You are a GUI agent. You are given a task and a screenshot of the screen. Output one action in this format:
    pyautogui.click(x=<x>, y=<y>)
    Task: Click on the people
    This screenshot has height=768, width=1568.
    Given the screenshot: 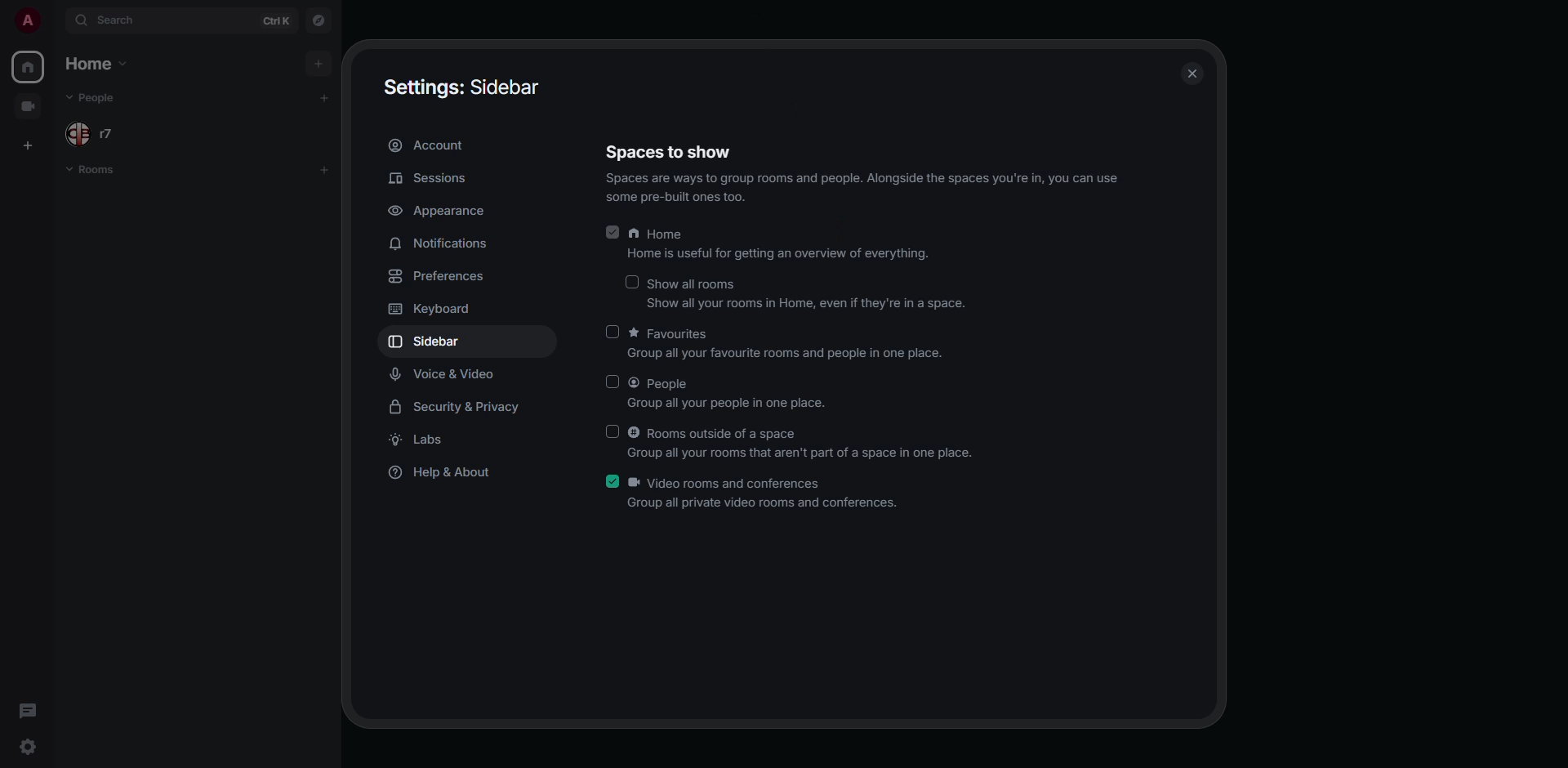 What is the action you would take?
    pyautogui.click(x=99, y=97)
    